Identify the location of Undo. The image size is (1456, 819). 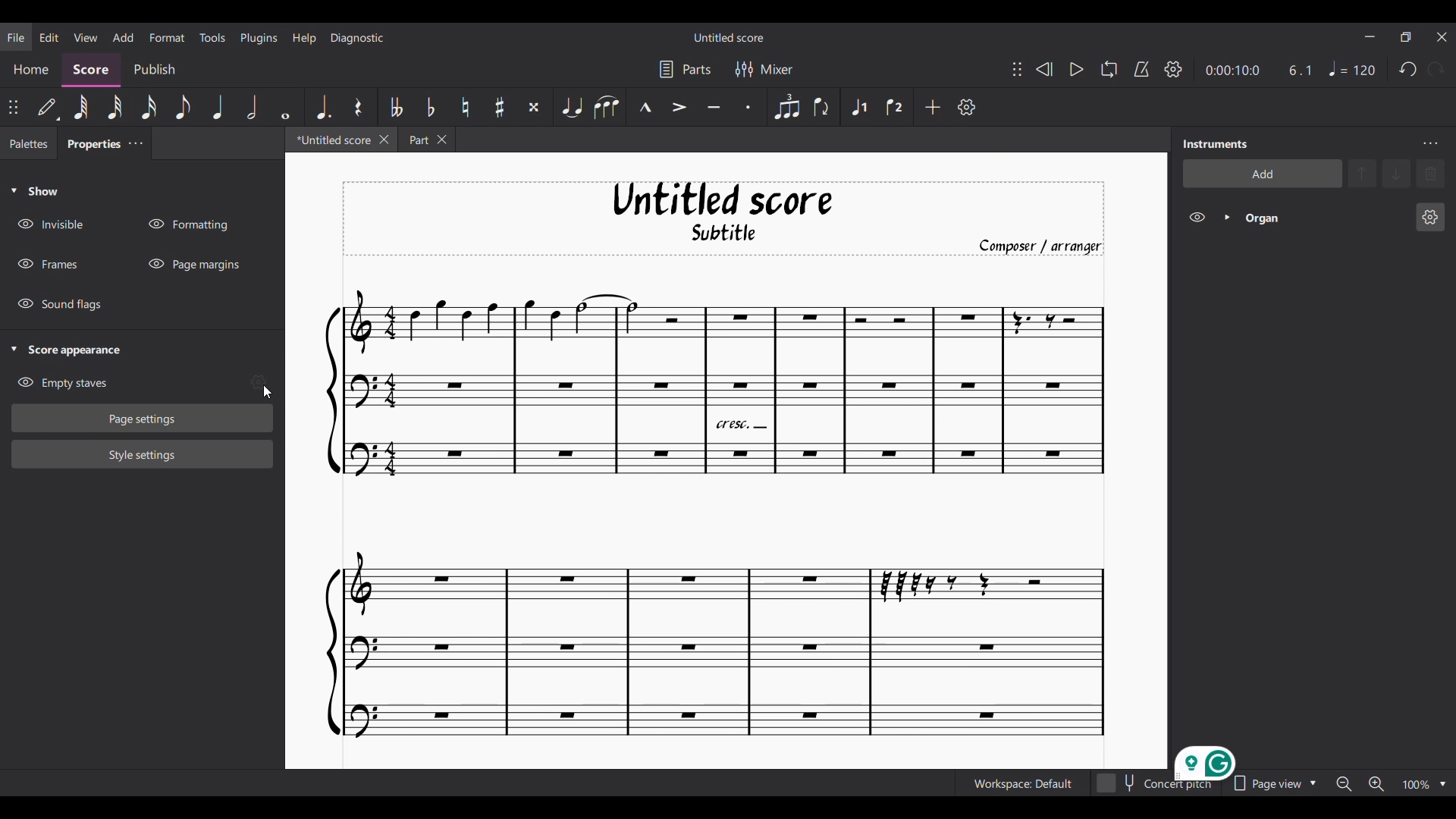
(1407, 69).